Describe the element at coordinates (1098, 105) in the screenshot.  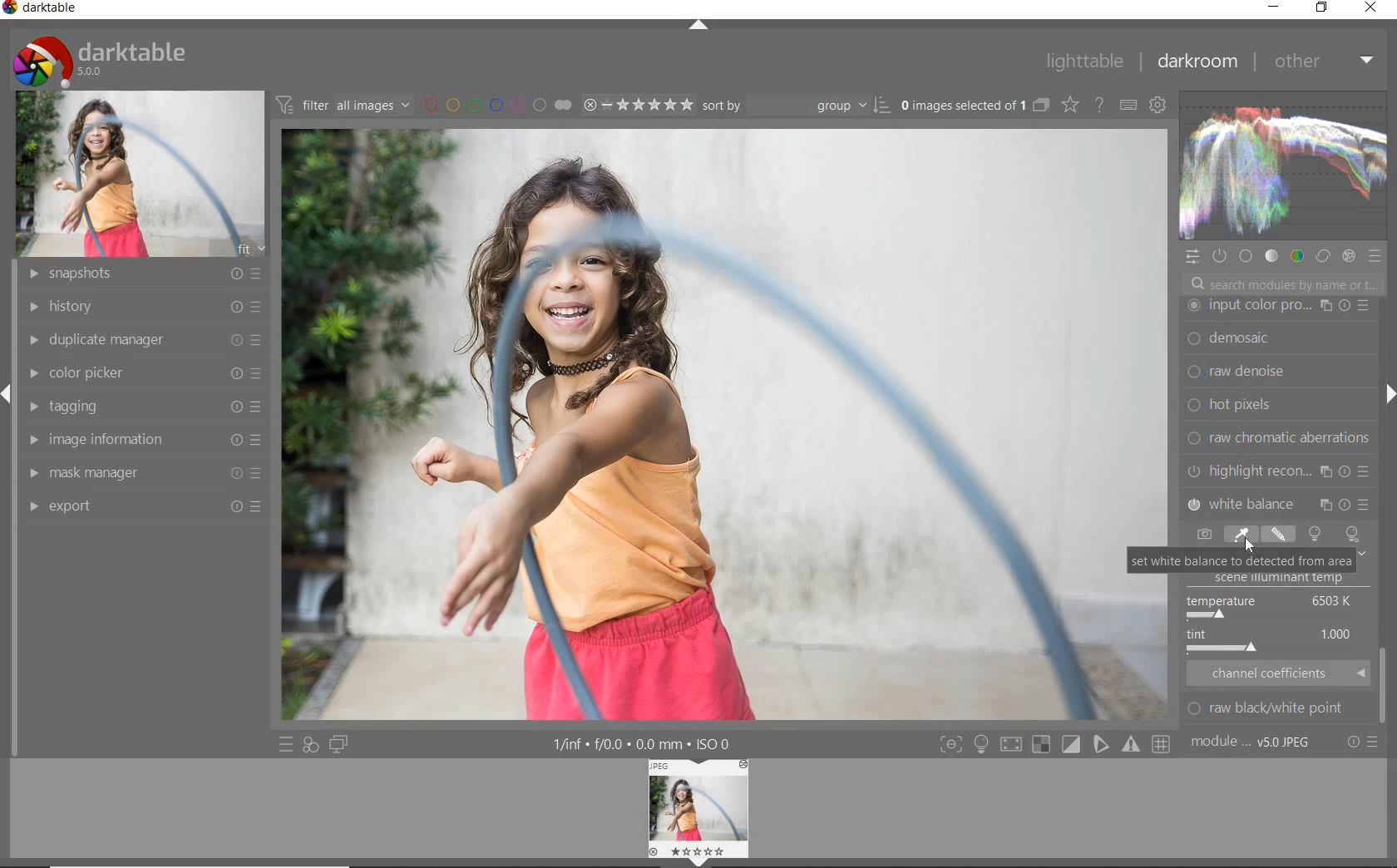
I see `enable for online help` at that location.